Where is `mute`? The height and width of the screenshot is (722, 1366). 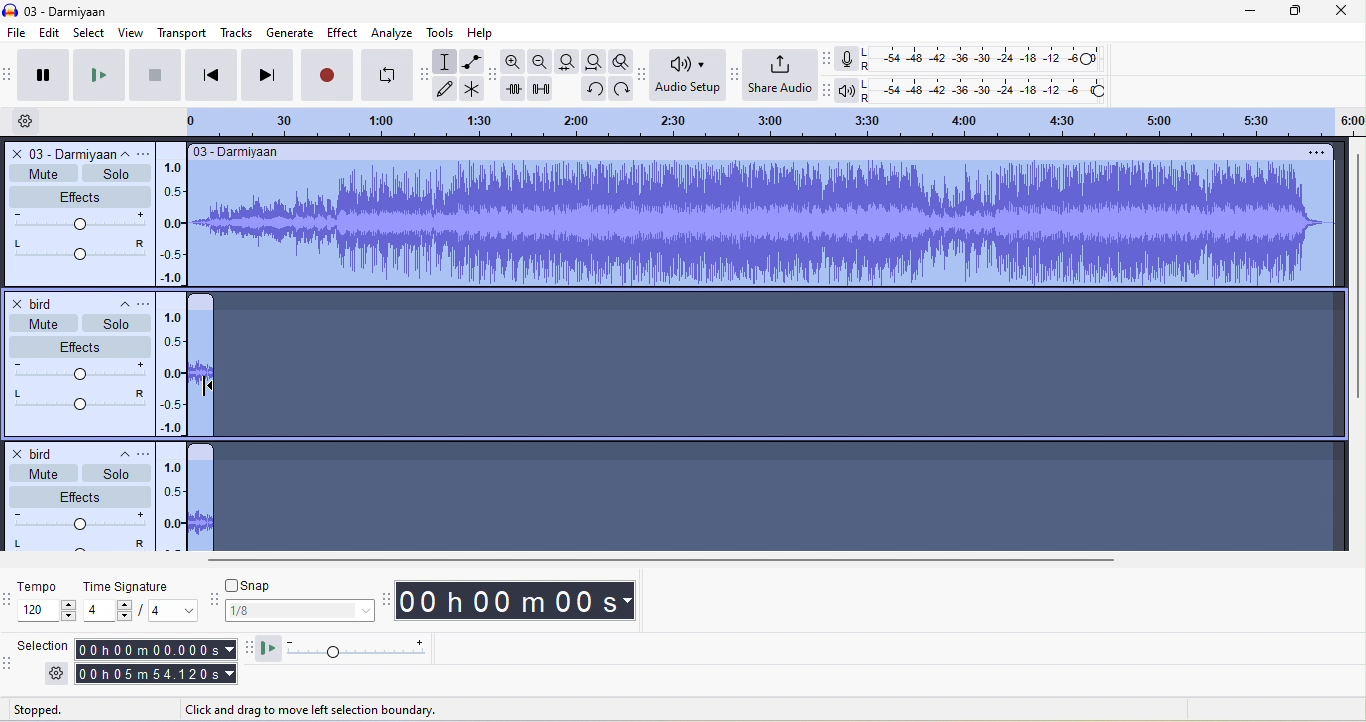 mute is located at coordinates (40, 322).